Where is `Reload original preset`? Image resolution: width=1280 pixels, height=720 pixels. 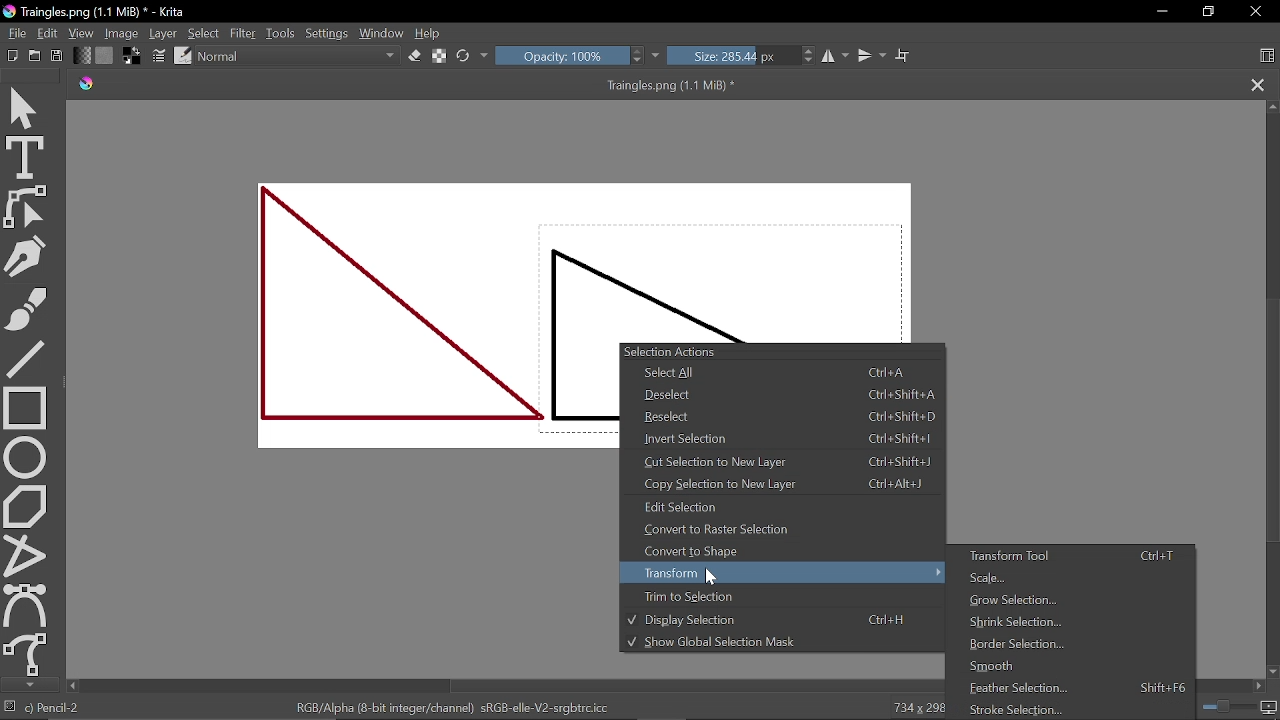
Reload original preset is located at coordinates (473, 56).